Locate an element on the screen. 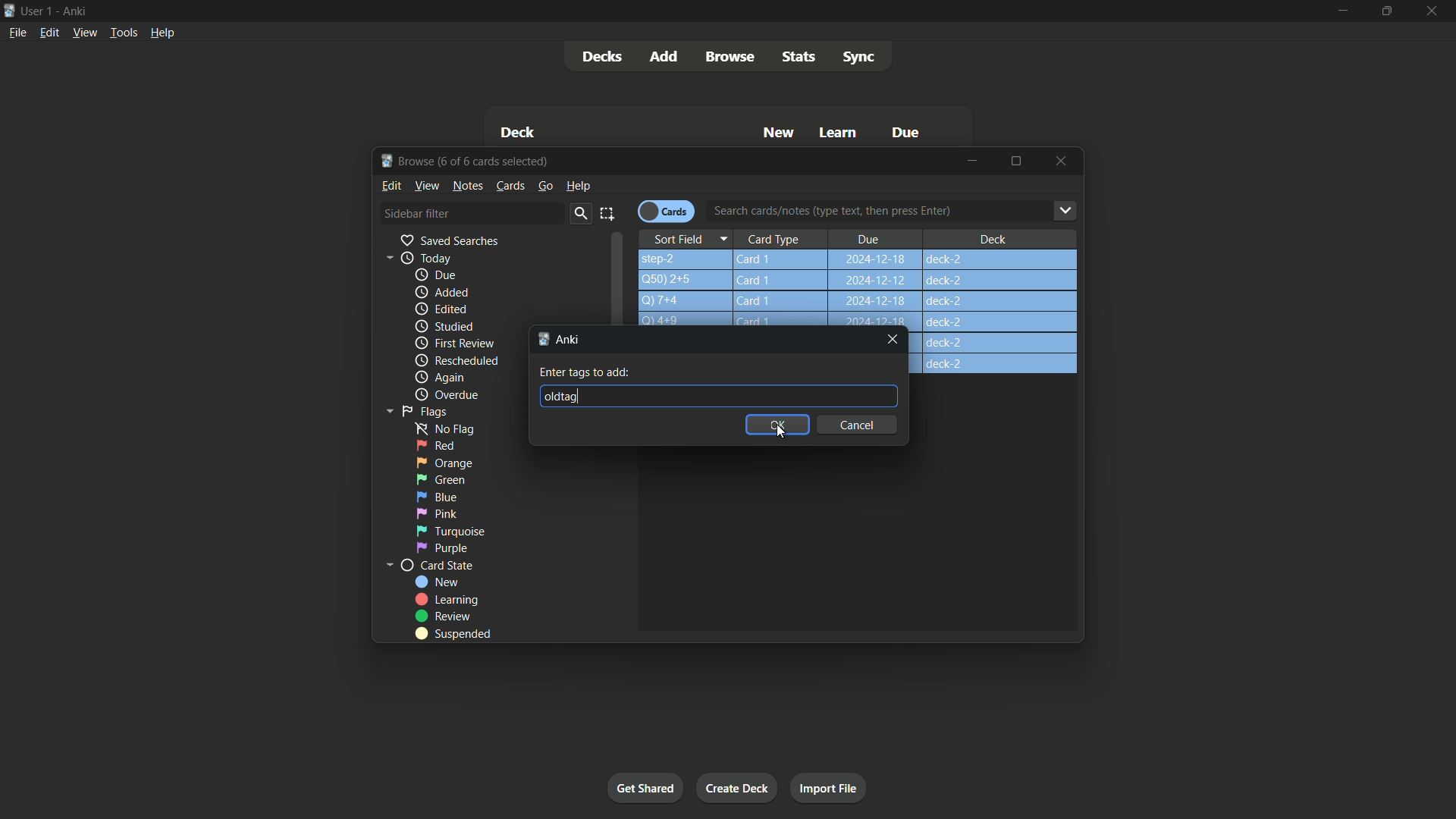 The image size is (1456, 819). Turquoise is located at coordinates (449, 531).